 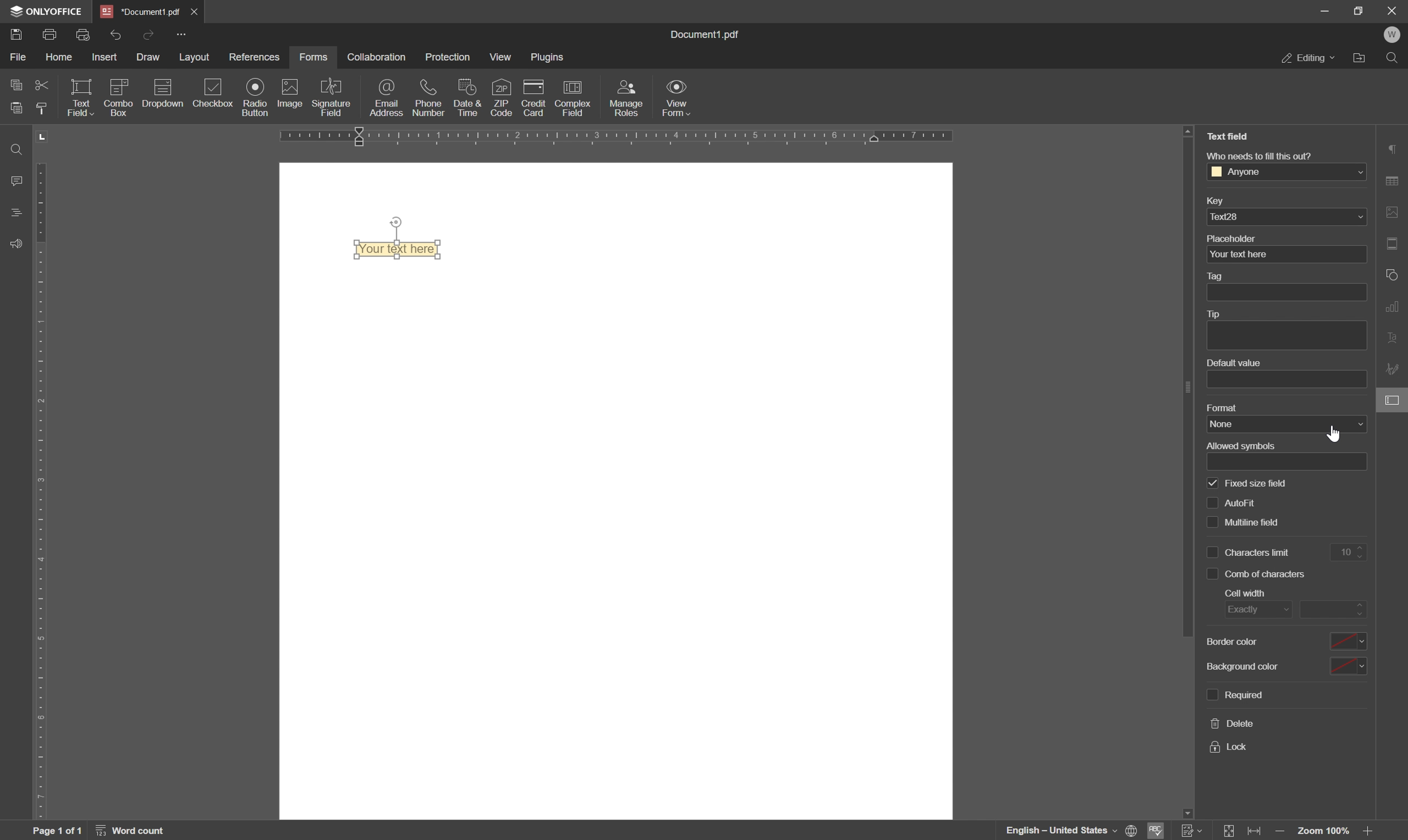 What do you see at coordinates (1286, 172) in the screenshot?
I see `Anyone` at bounding box center [1286, 172].